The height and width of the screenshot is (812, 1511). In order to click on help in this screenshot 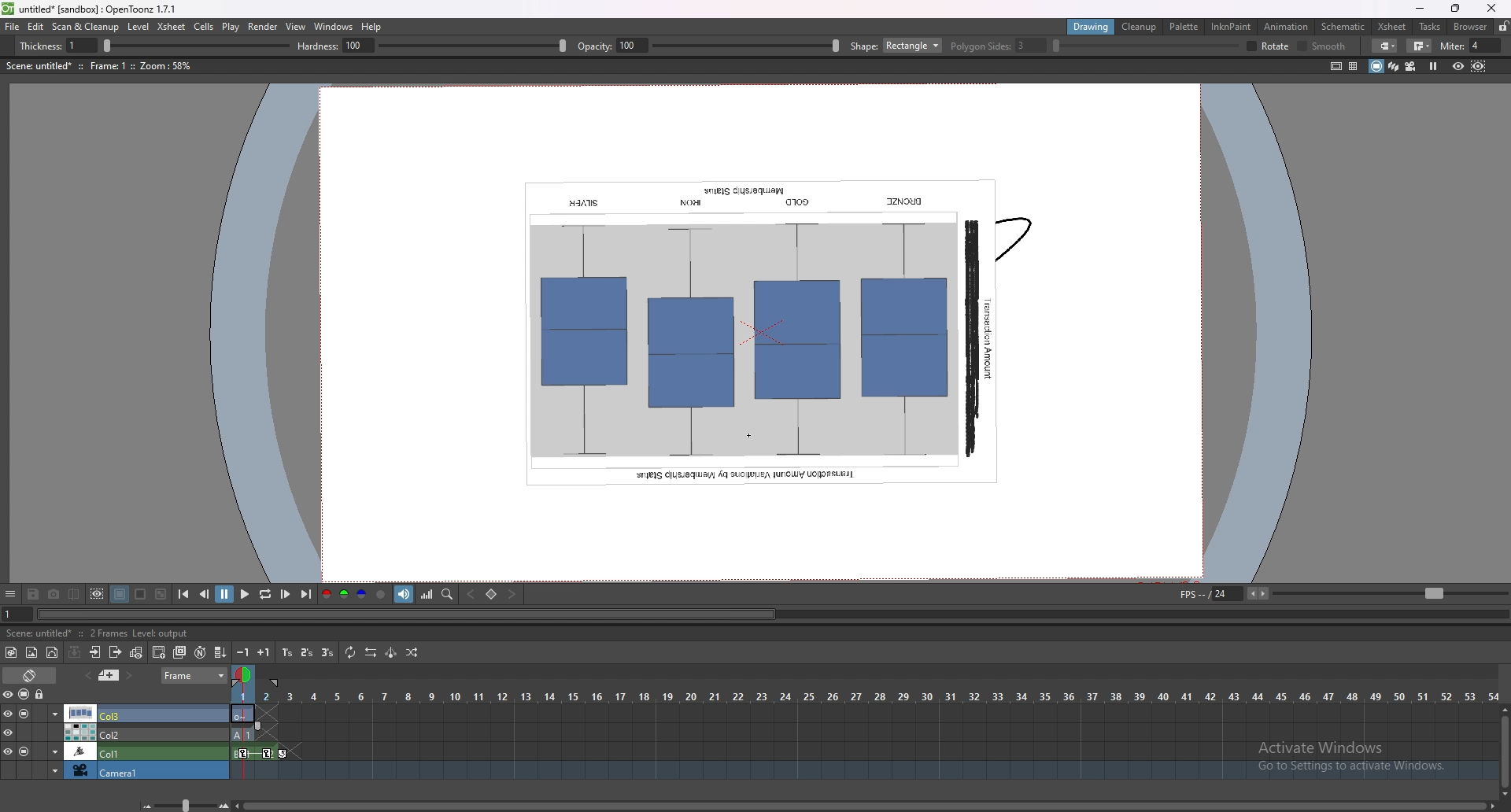, I will do `click(371, 27)`.